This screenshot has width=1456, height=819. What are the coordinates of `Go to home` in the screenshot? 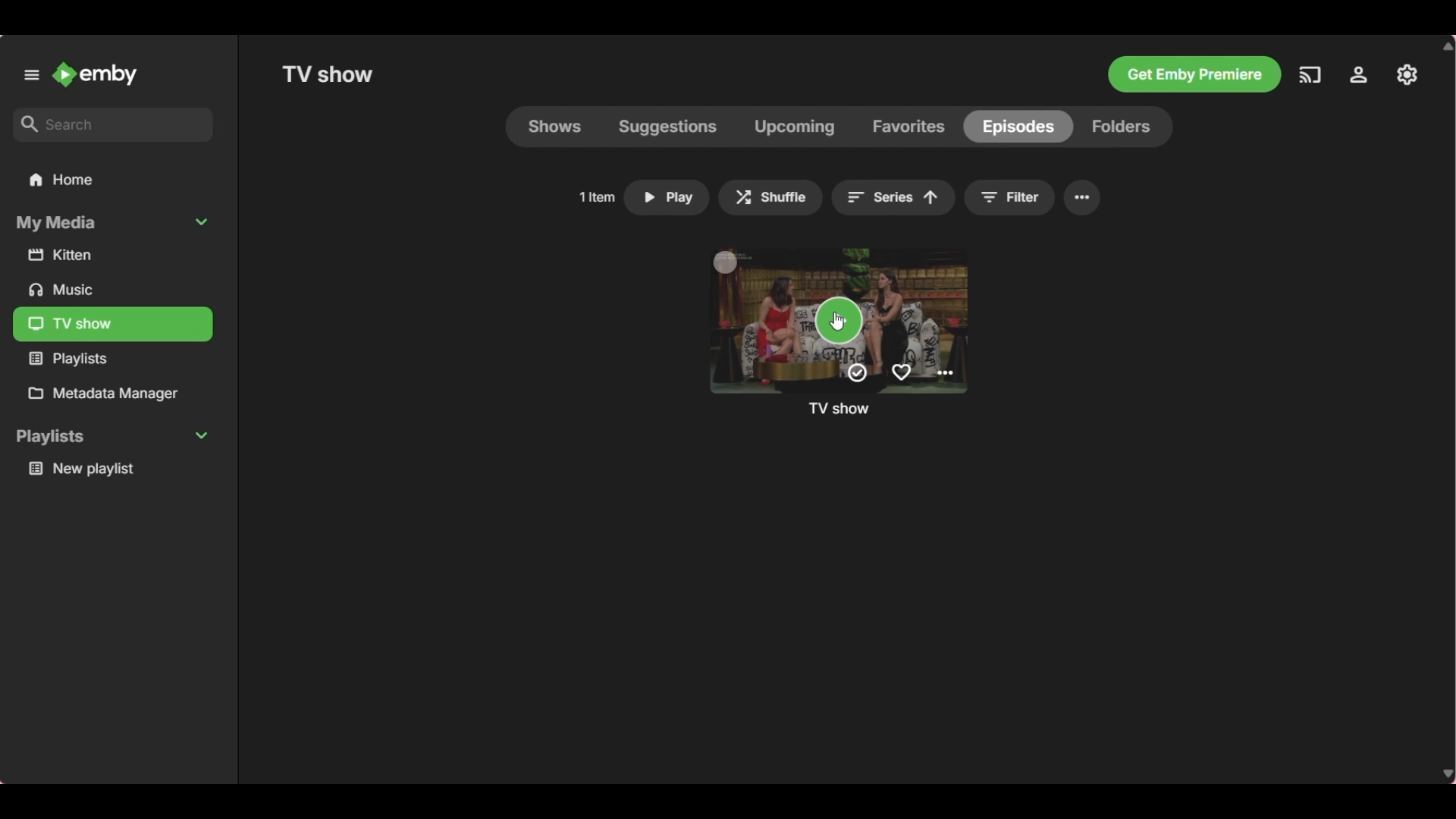 It's located at (95, 74).